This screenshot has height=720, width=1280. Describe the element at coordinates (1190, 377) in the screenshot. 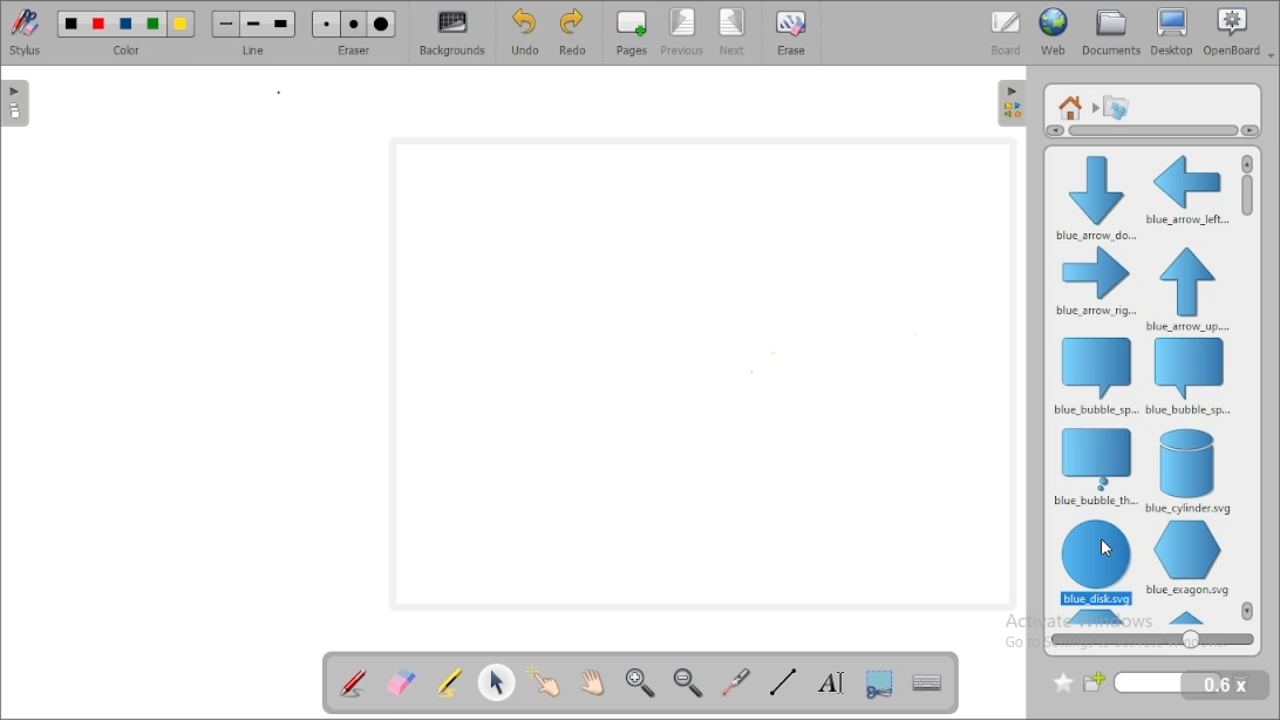

I see `blue bubble speak left` at that location.